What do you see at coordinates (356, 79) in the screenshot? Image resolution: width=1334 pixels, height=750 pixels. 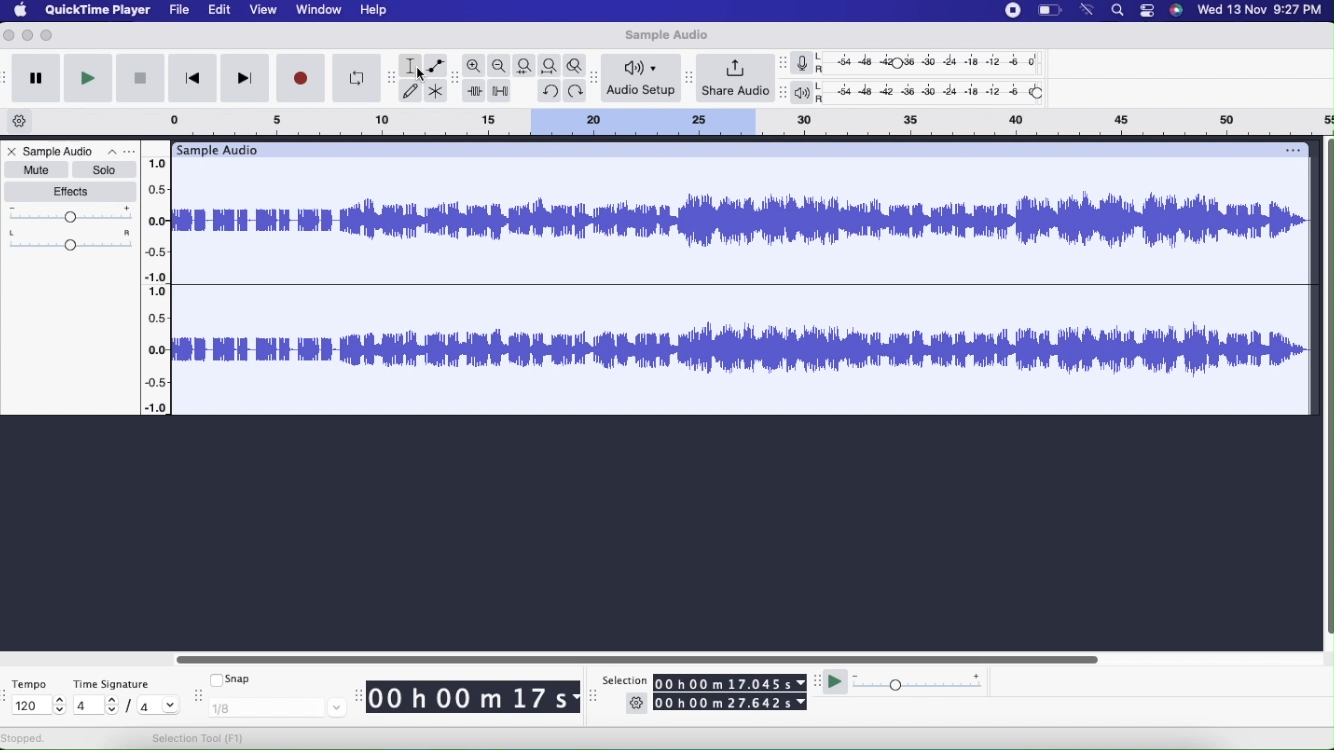 I see `Enable Looping` at bounding box center [356, 79].